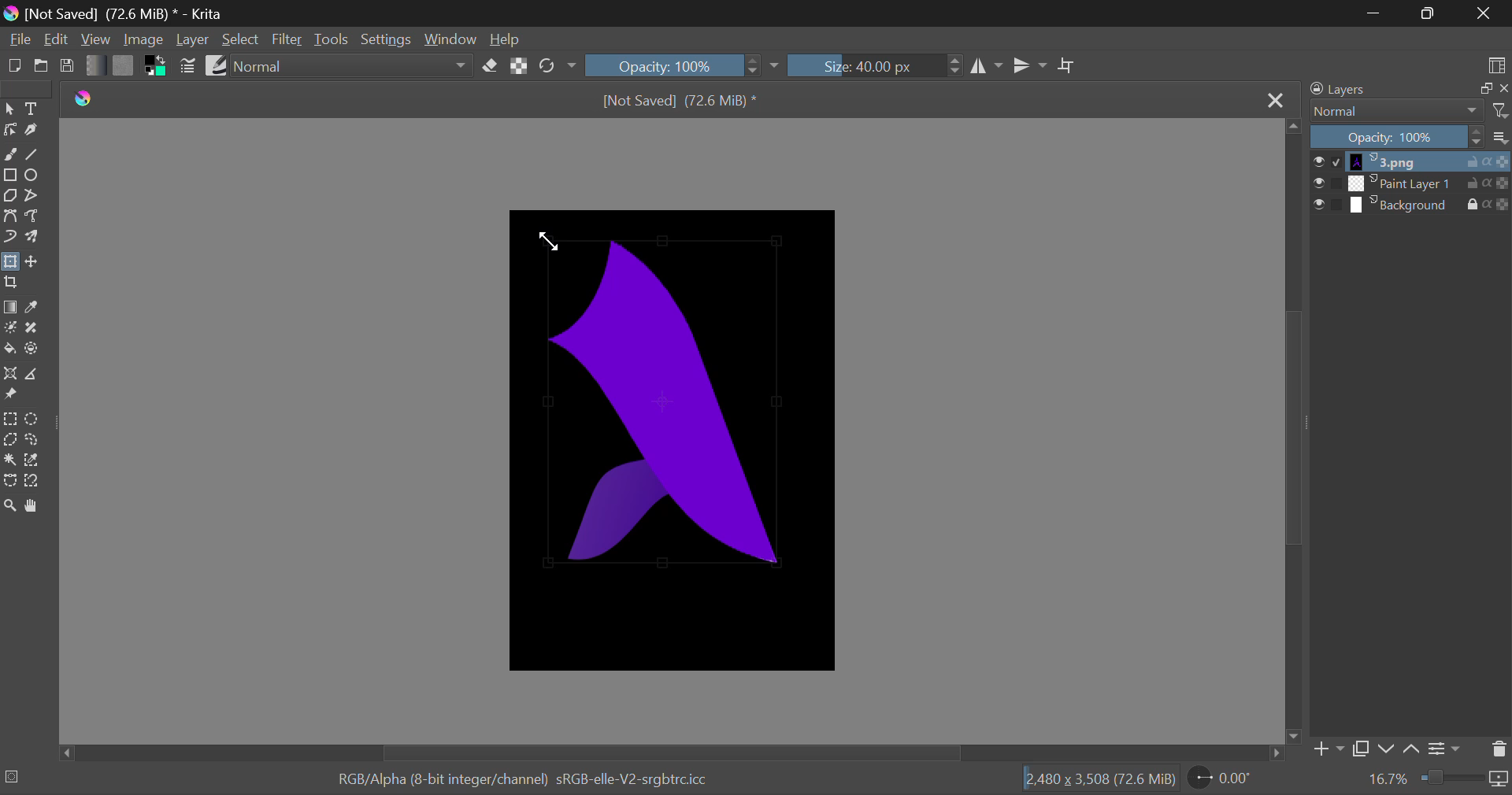 This screenshot has width=1512, height=795. I want to click on DRAG_TO Cursor Position, so click(551, 241).